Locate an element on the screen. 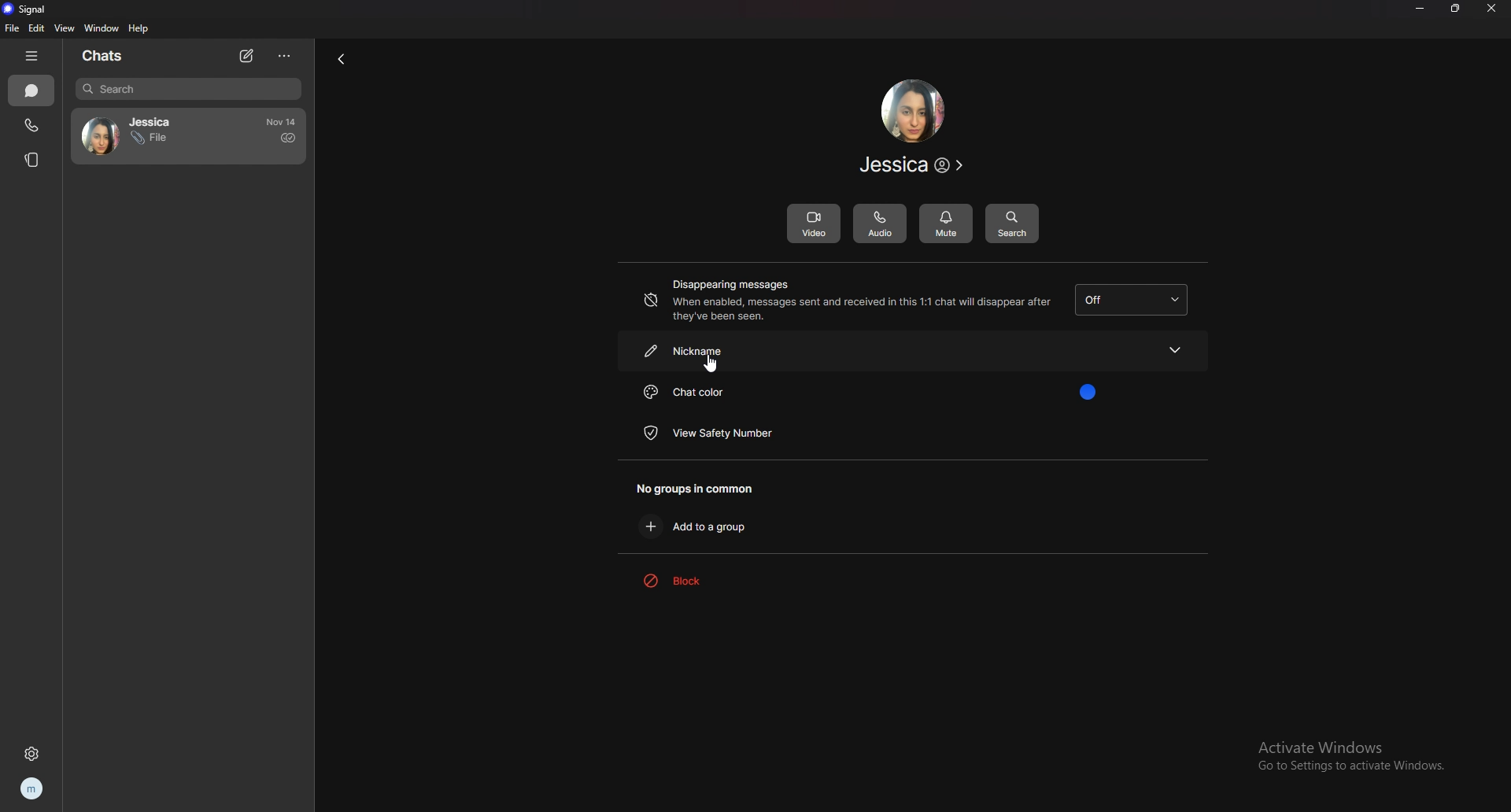 This screenshot has width=1511, height=812. window is located at coordinates (102, 28).